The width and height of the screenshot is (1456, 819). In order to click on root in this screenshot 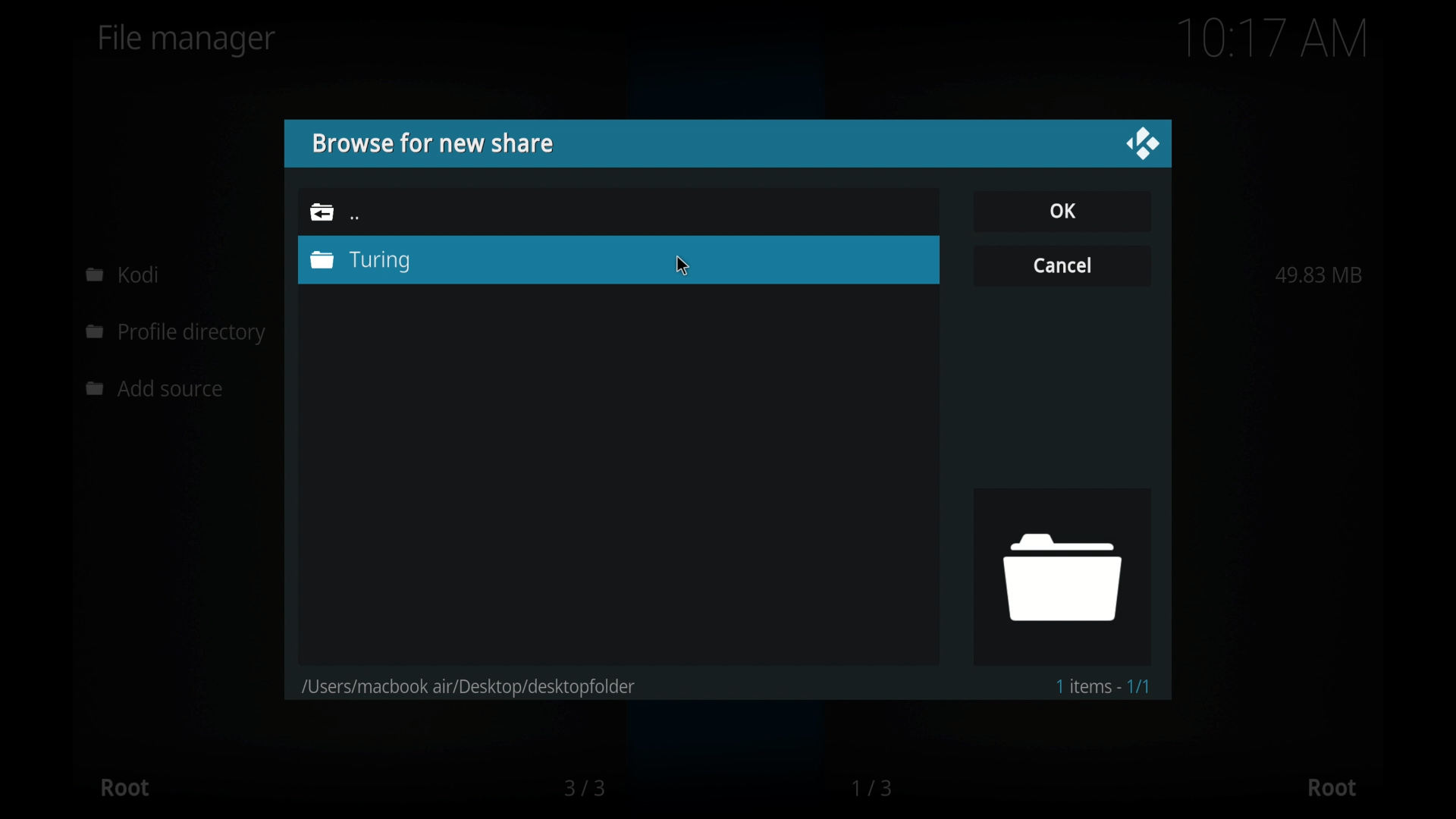, I will do `click(124, 787)`.